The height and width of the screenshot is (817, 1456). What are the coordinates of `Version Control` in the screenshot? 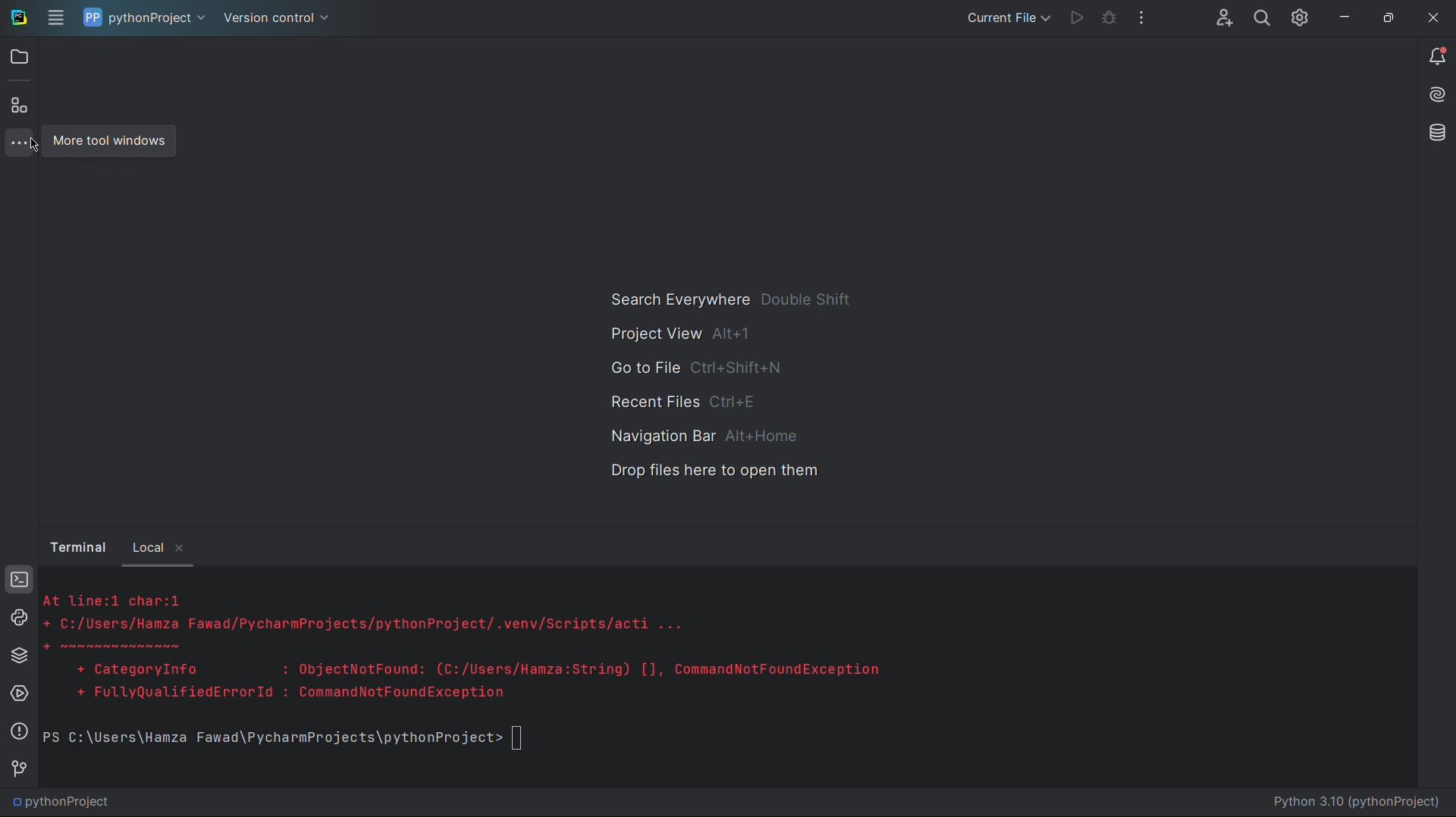 It's located at (279, 19).